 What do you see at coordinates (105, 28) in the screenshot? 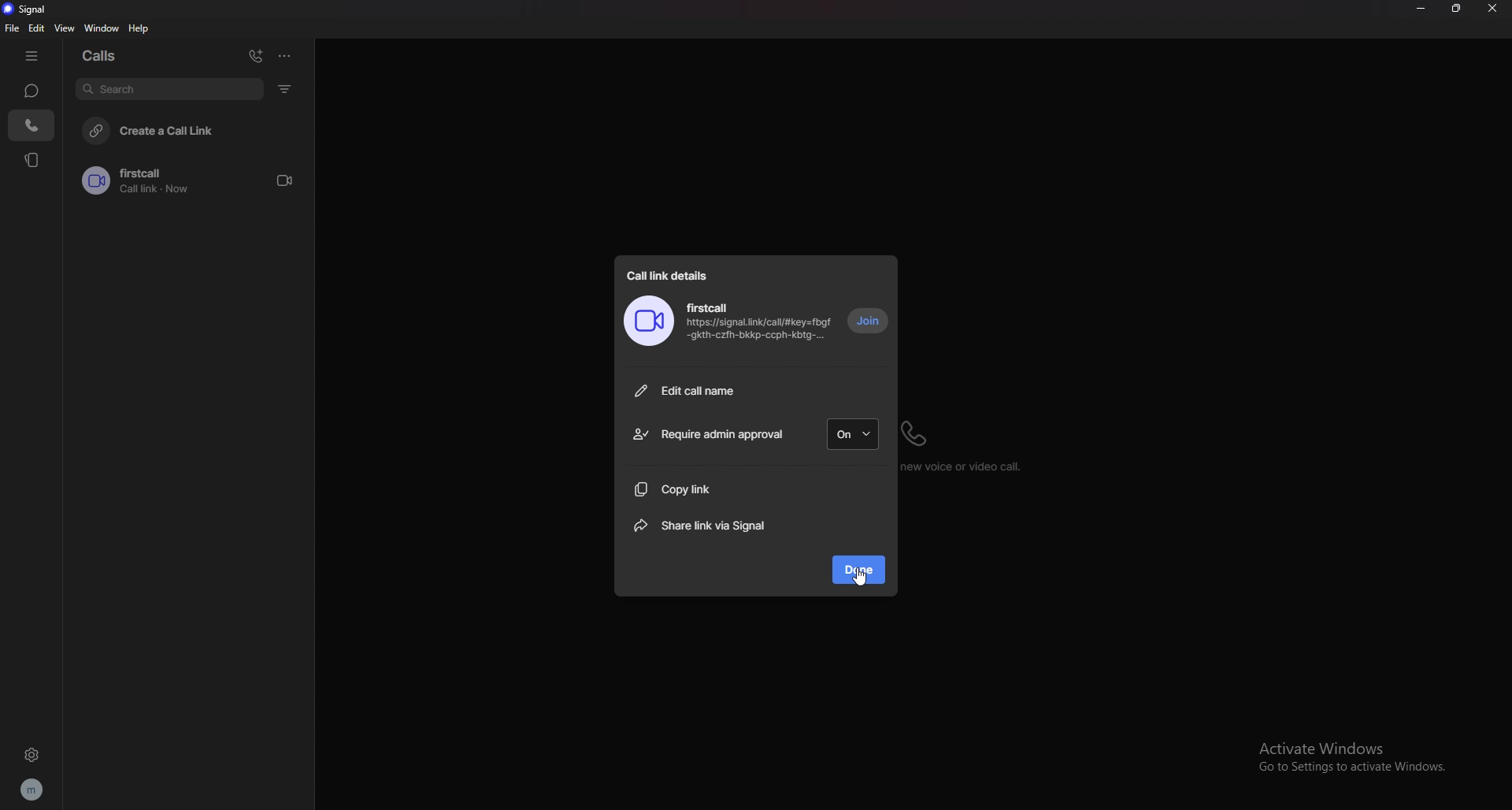
I see `window` at bounding box center [105, 28].